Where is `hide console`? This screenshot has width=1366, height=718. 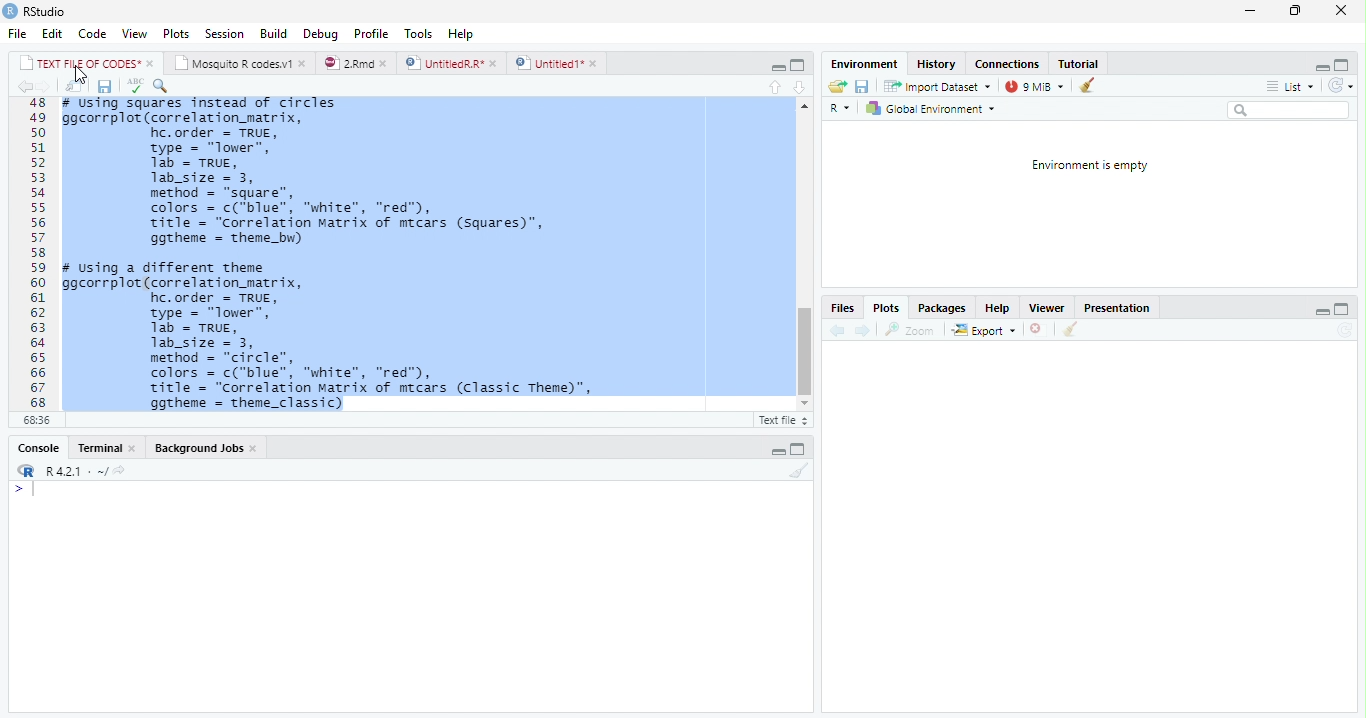
hide console is located at coordinates (798, 64).